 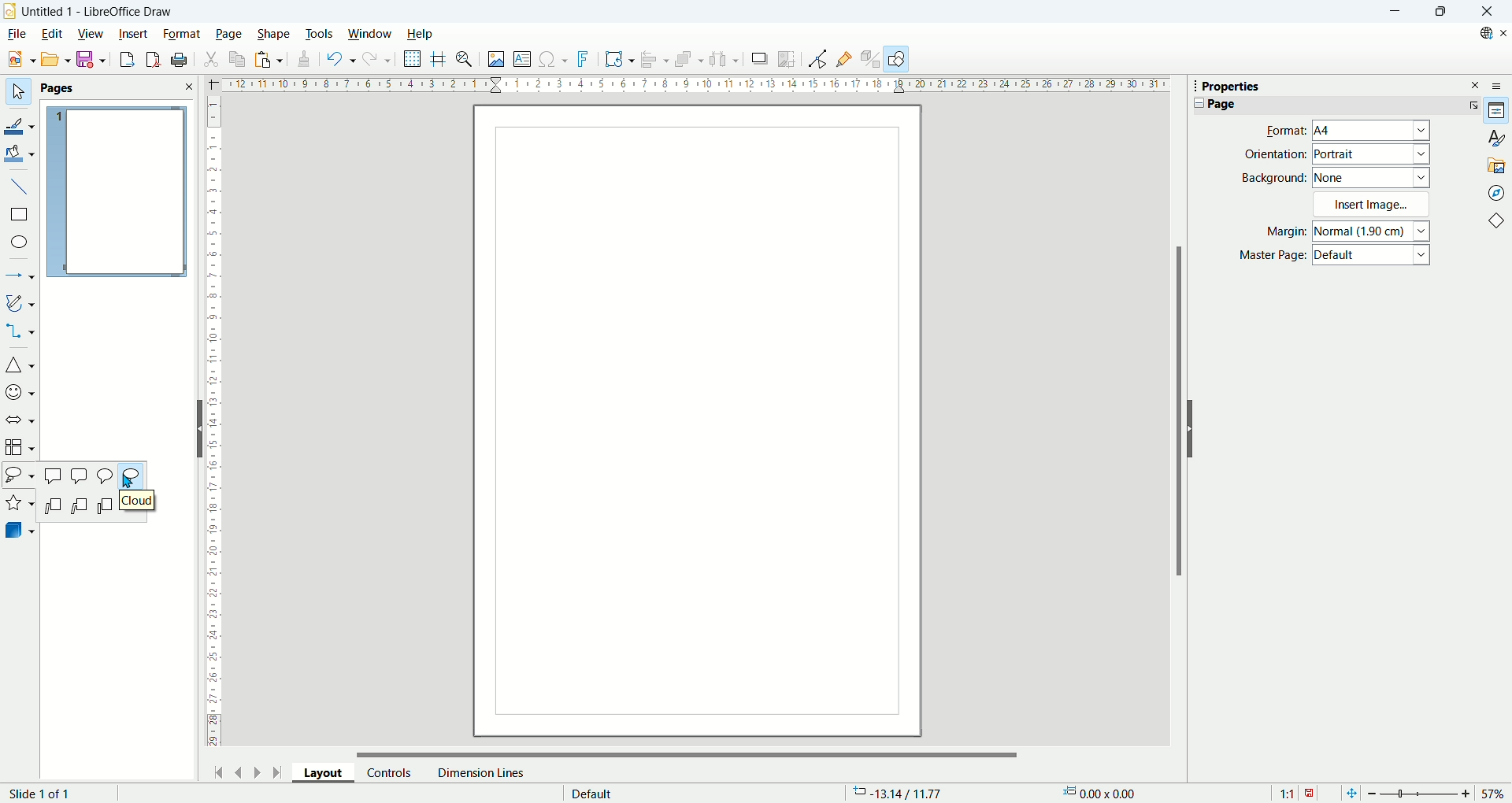 I want to click on Hotizontal ruler, so click(x=695, y=87).